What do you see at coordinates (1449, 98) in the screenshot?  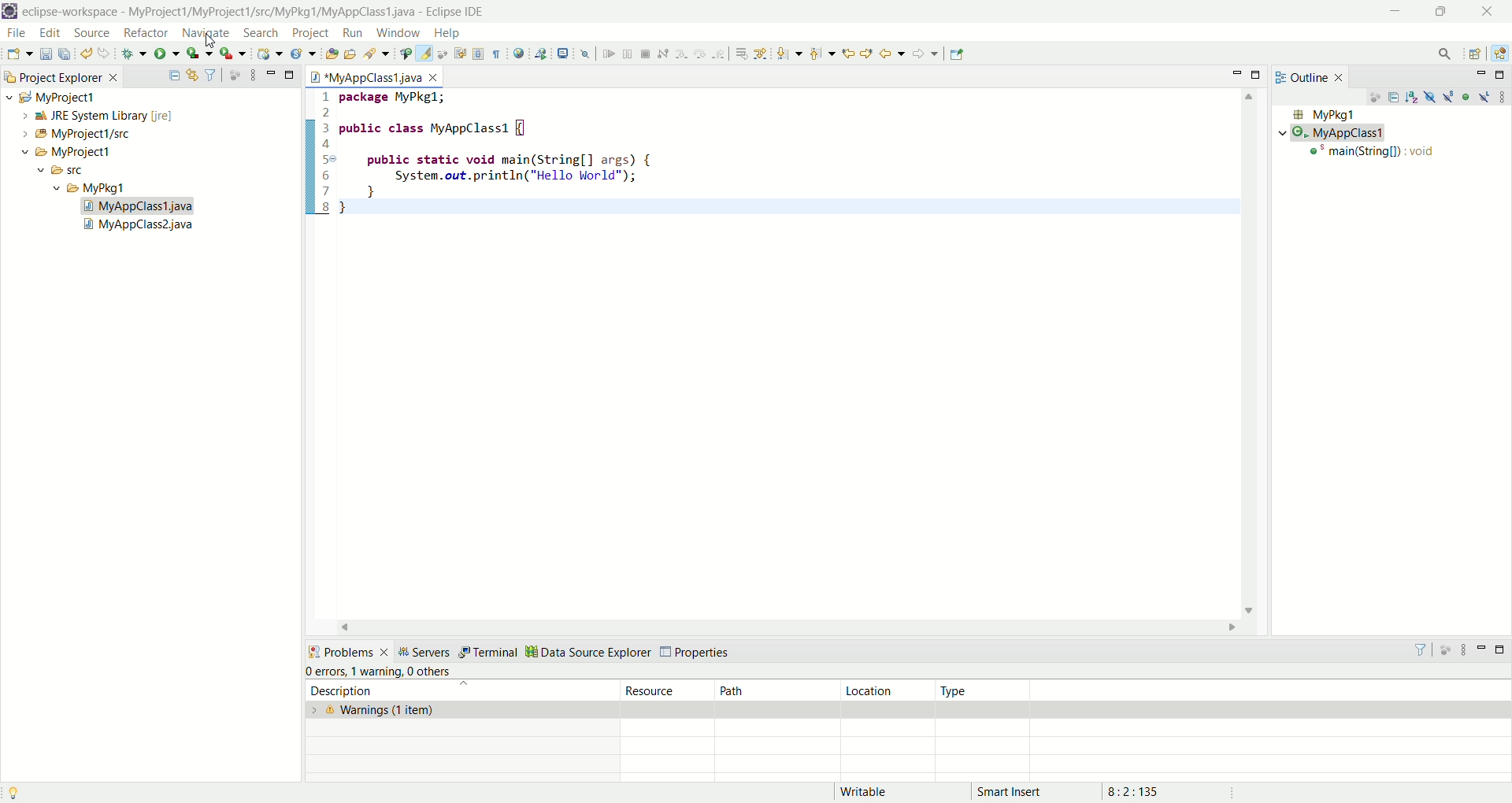 I see `hide static fields and methods` at bounding box center [1449, 98].